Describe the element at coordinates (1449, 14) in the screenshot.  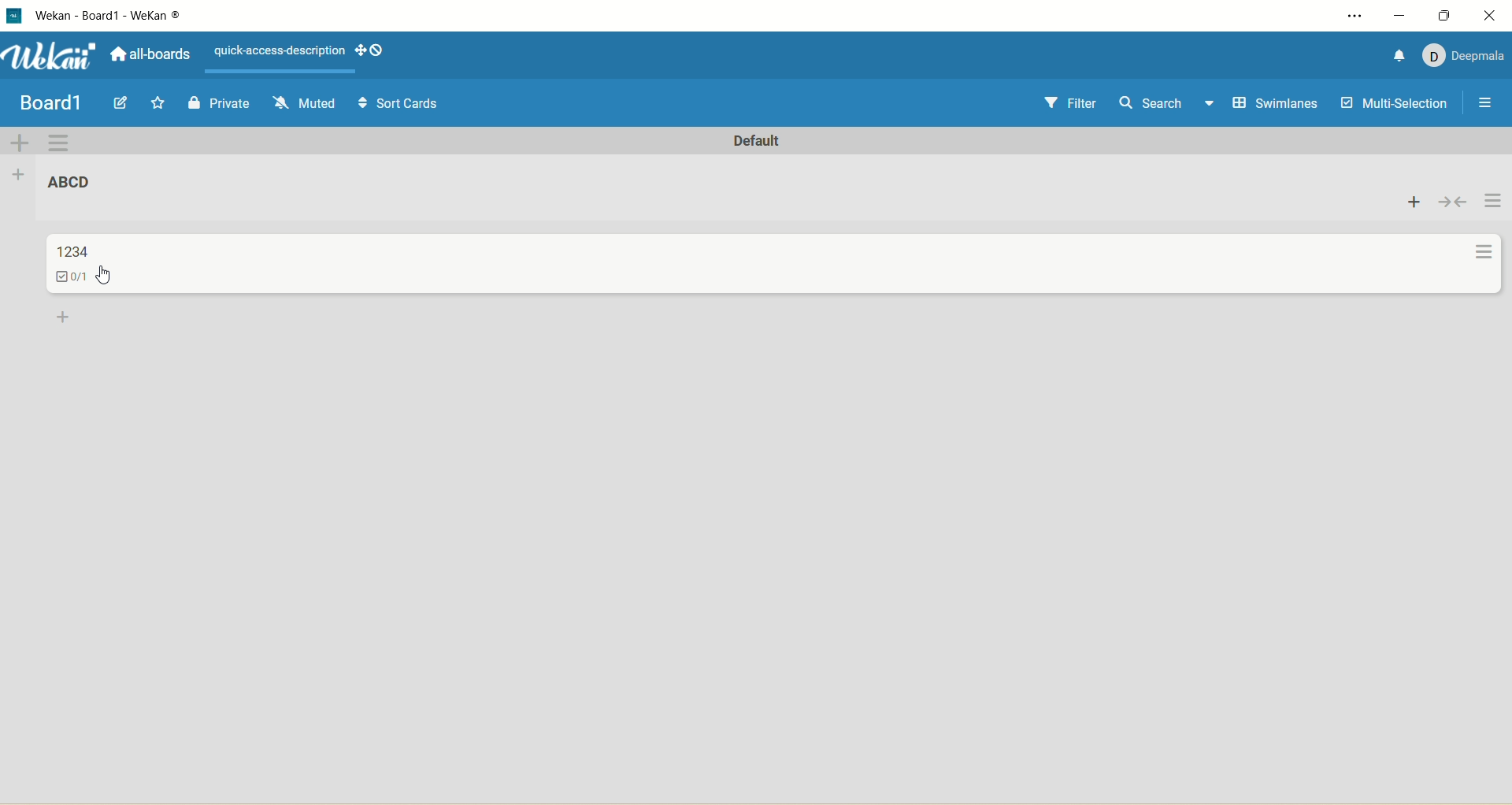
I see `maximize` at that location.